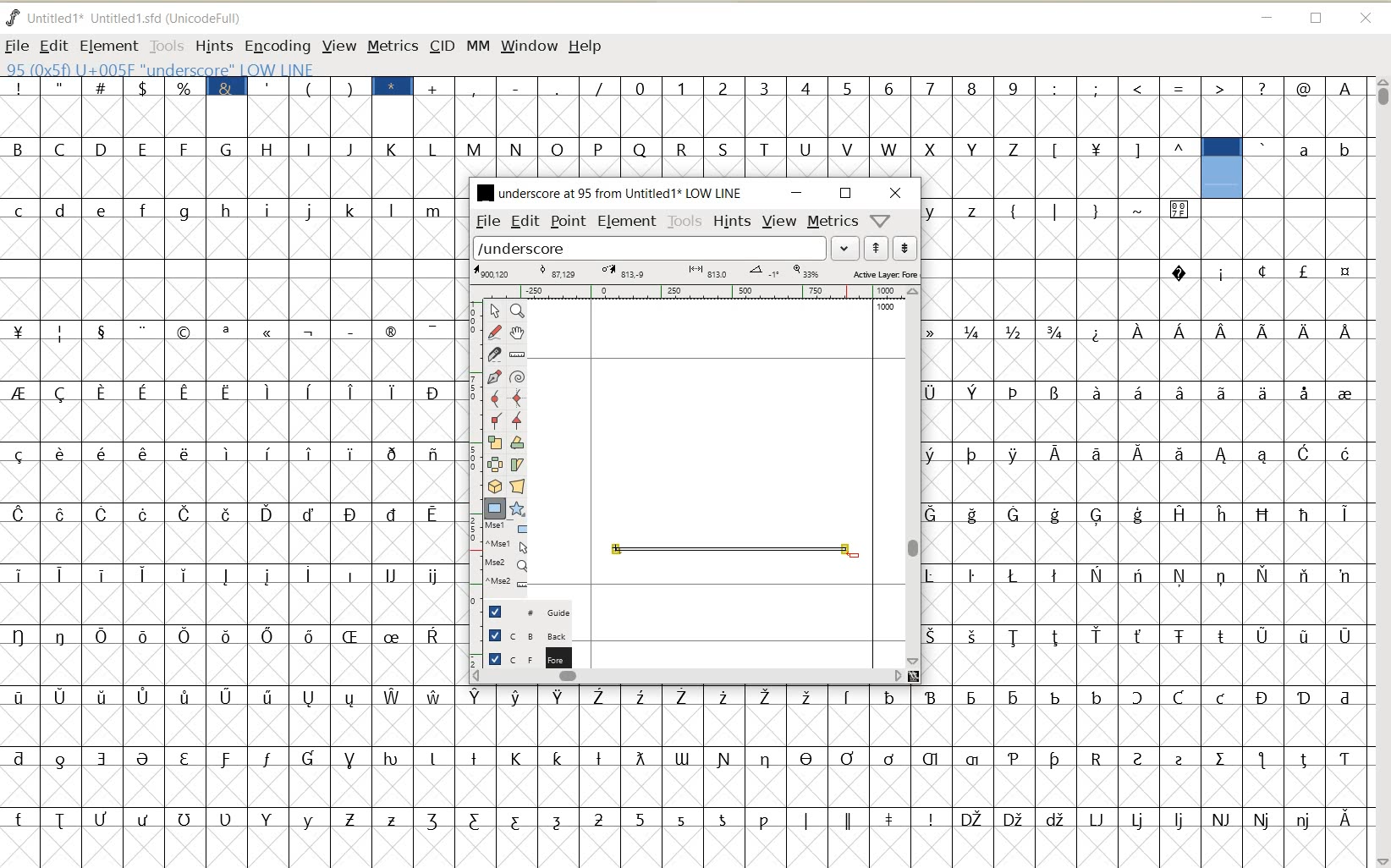 This screenshot has width=1391, height=868. What do you see at coordinates (229, 461) in the screenshot?
I see `GLYPHY CHARACTERS` at bounding box center [229, 461].